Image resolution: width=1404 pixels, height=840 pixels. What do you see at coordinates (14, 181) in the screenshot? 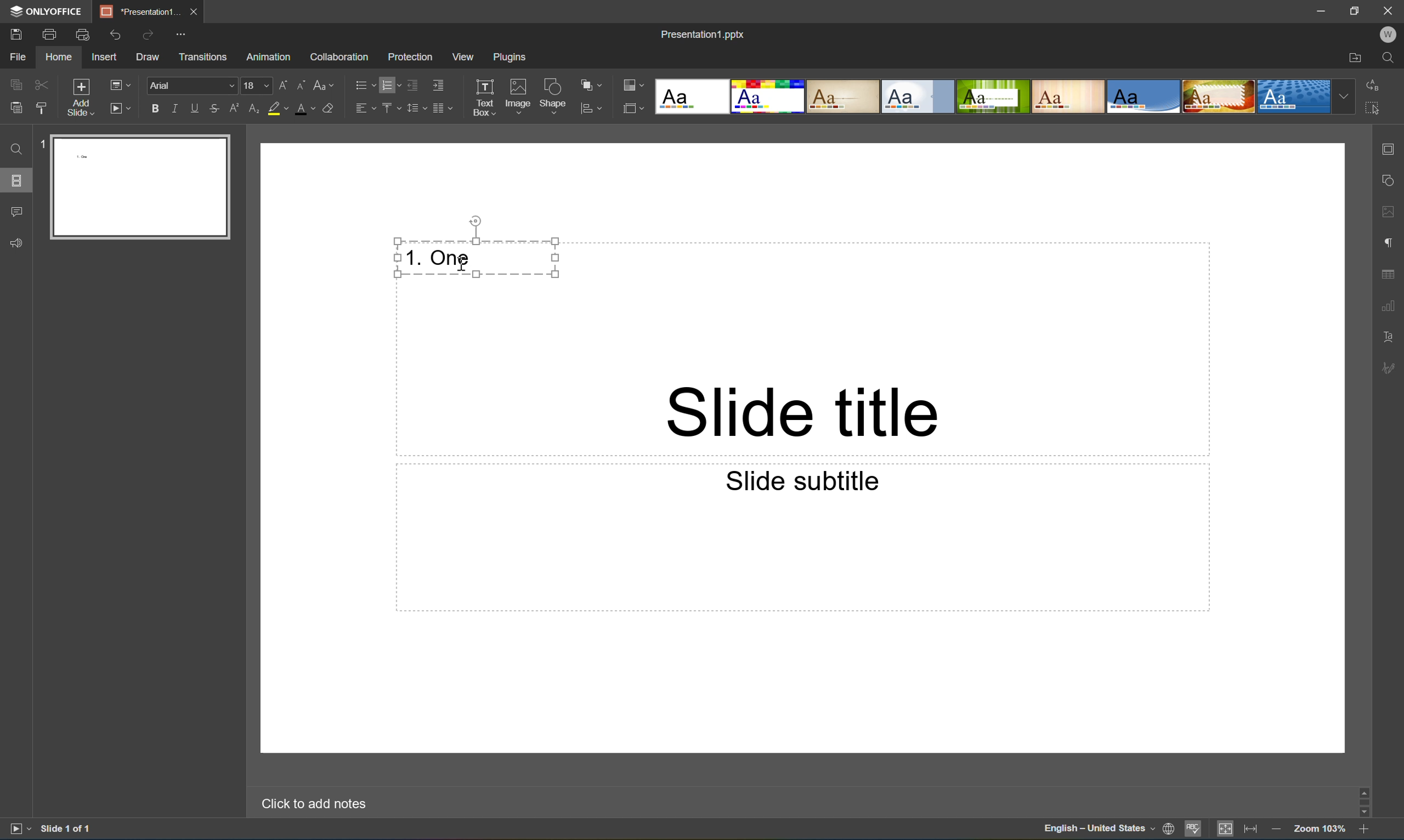
I see `Slides` at bounding box center [14, 181].